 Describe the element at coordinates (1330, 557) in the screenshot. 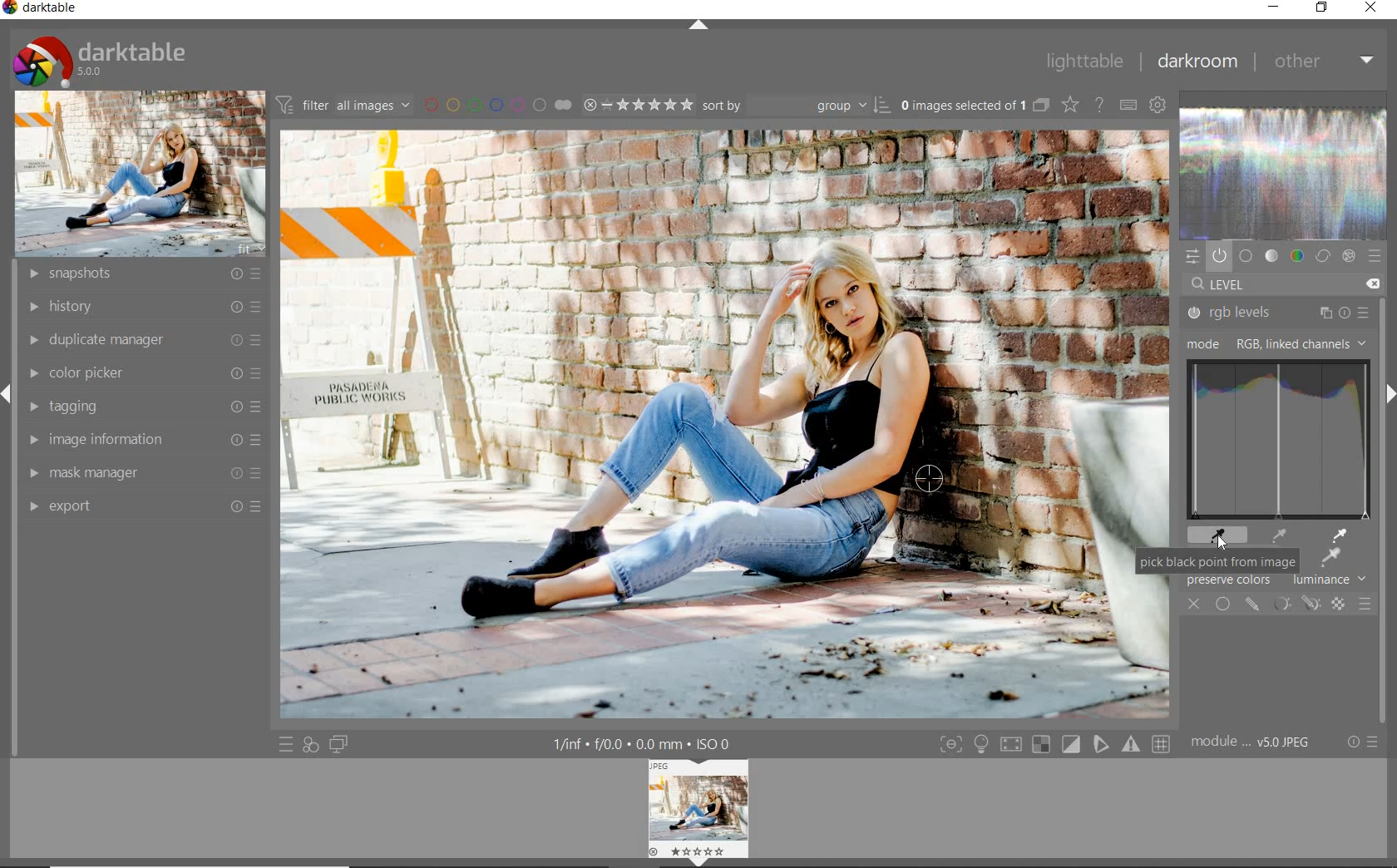

I see `picker tool` at that location.